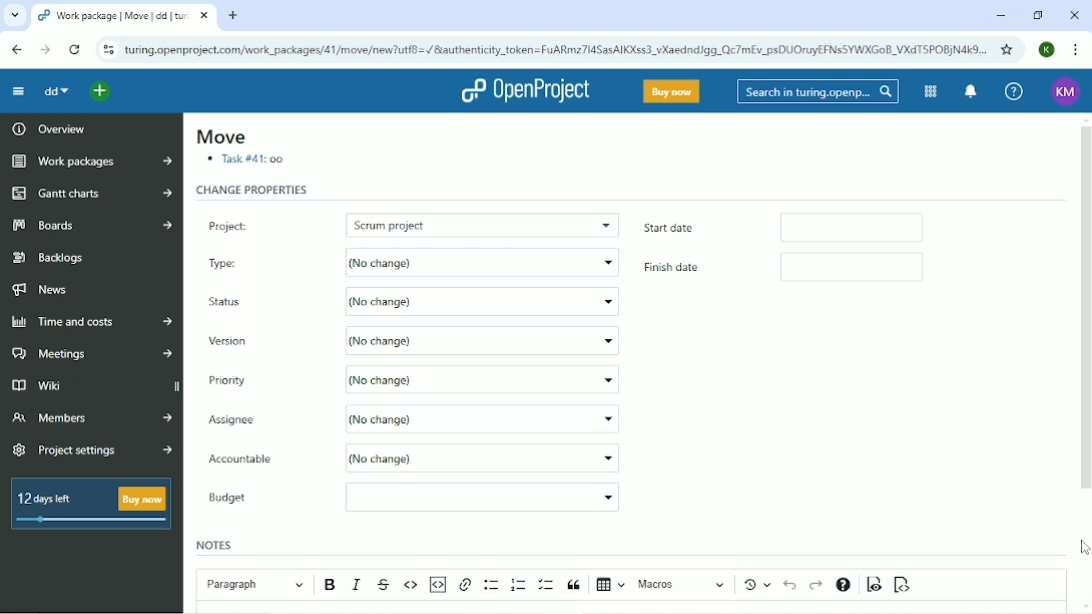 Image resolution: width=1092 pixels, height=614 pixels. Describe the element at coordinates (62, 385) in the screenshot. I see `Wiki` at that location.